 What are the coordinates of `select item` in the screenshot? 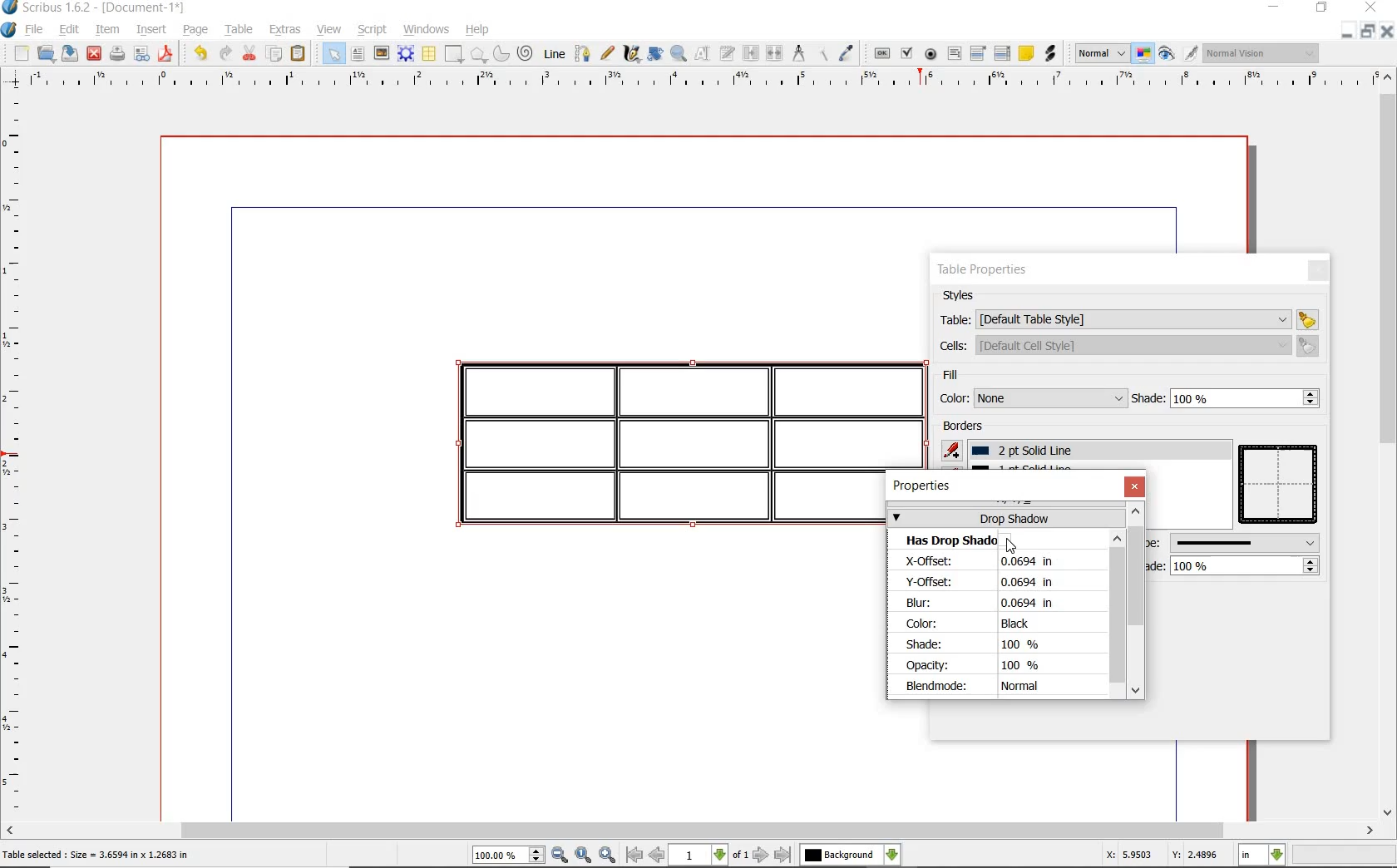 It's located at (332, 53).